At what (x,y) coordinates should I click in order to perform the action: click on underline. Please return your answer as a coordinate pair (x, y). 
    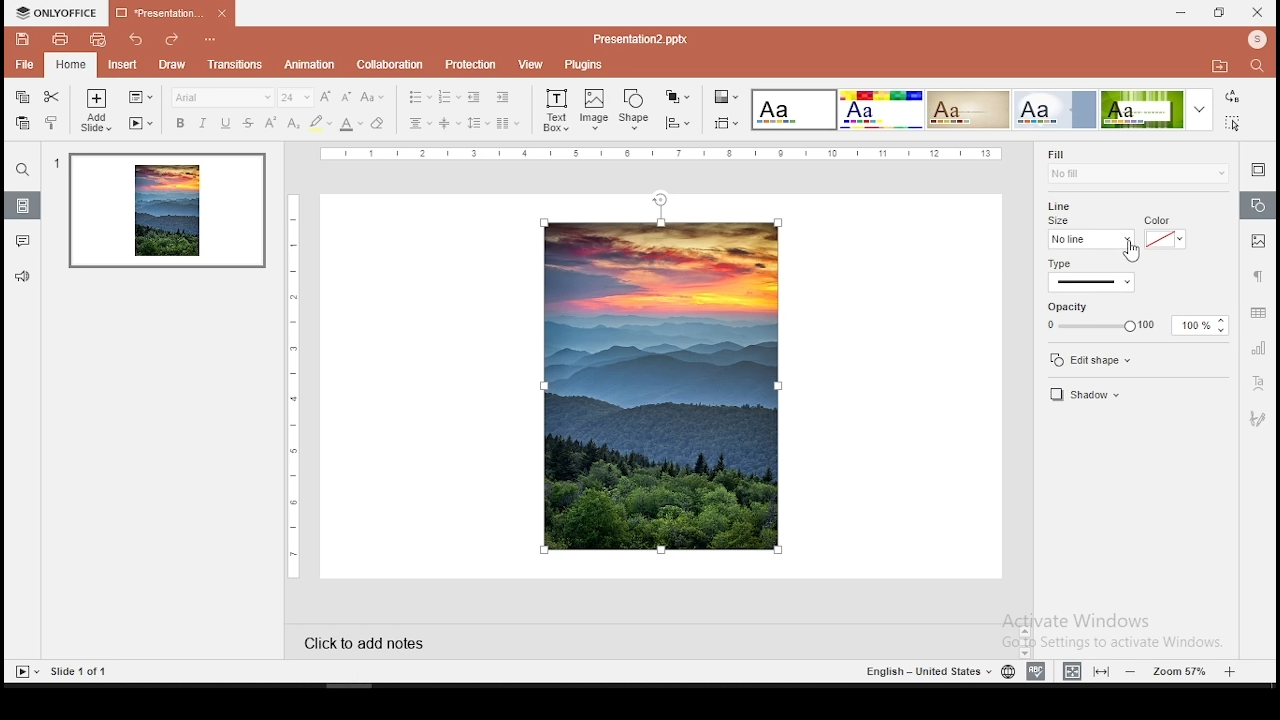
    Looking at the image, I should click on (225, 123).